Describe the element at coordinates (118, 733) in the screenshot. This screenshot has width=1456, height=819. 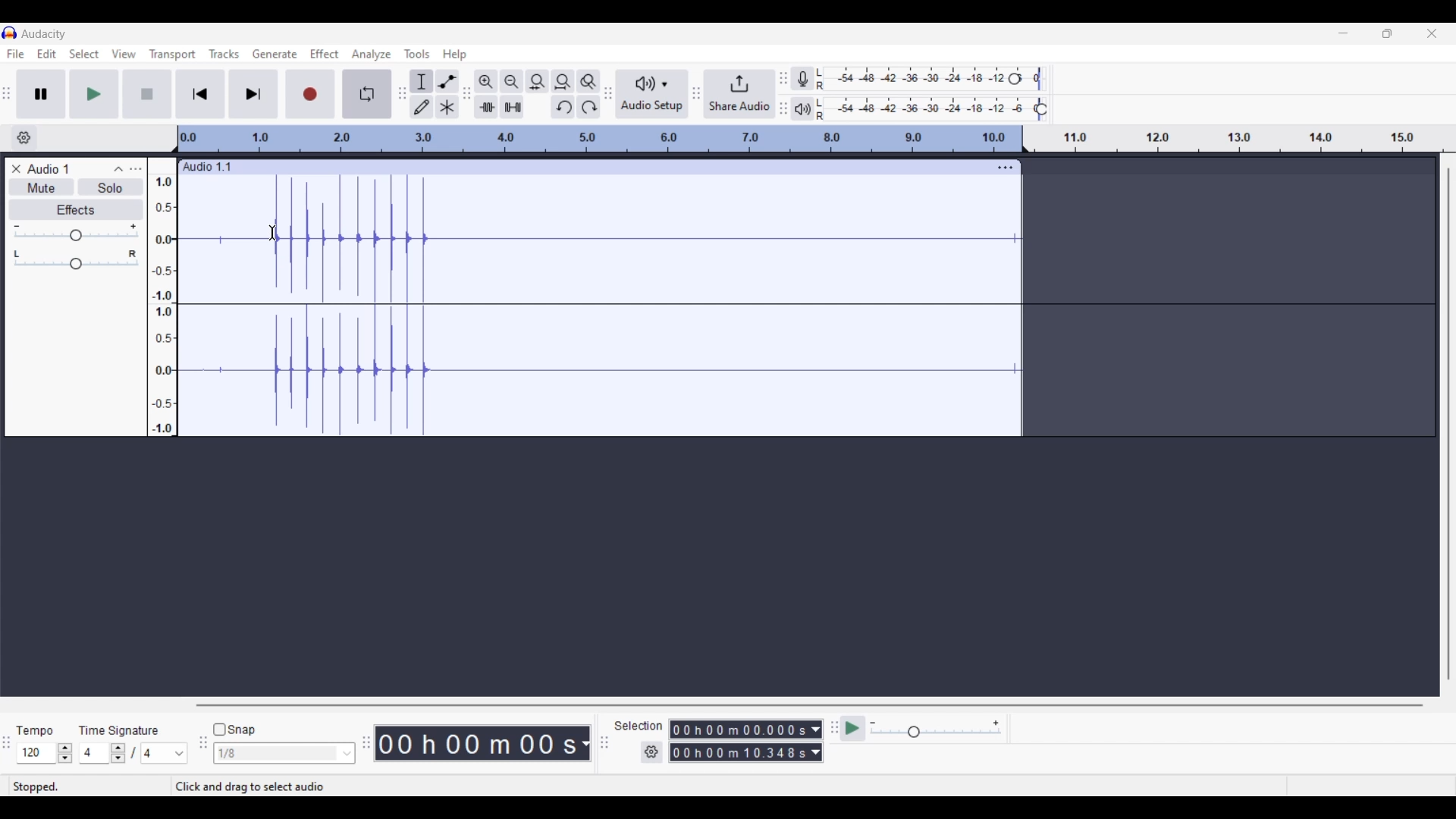
I see `time signature` at that location.